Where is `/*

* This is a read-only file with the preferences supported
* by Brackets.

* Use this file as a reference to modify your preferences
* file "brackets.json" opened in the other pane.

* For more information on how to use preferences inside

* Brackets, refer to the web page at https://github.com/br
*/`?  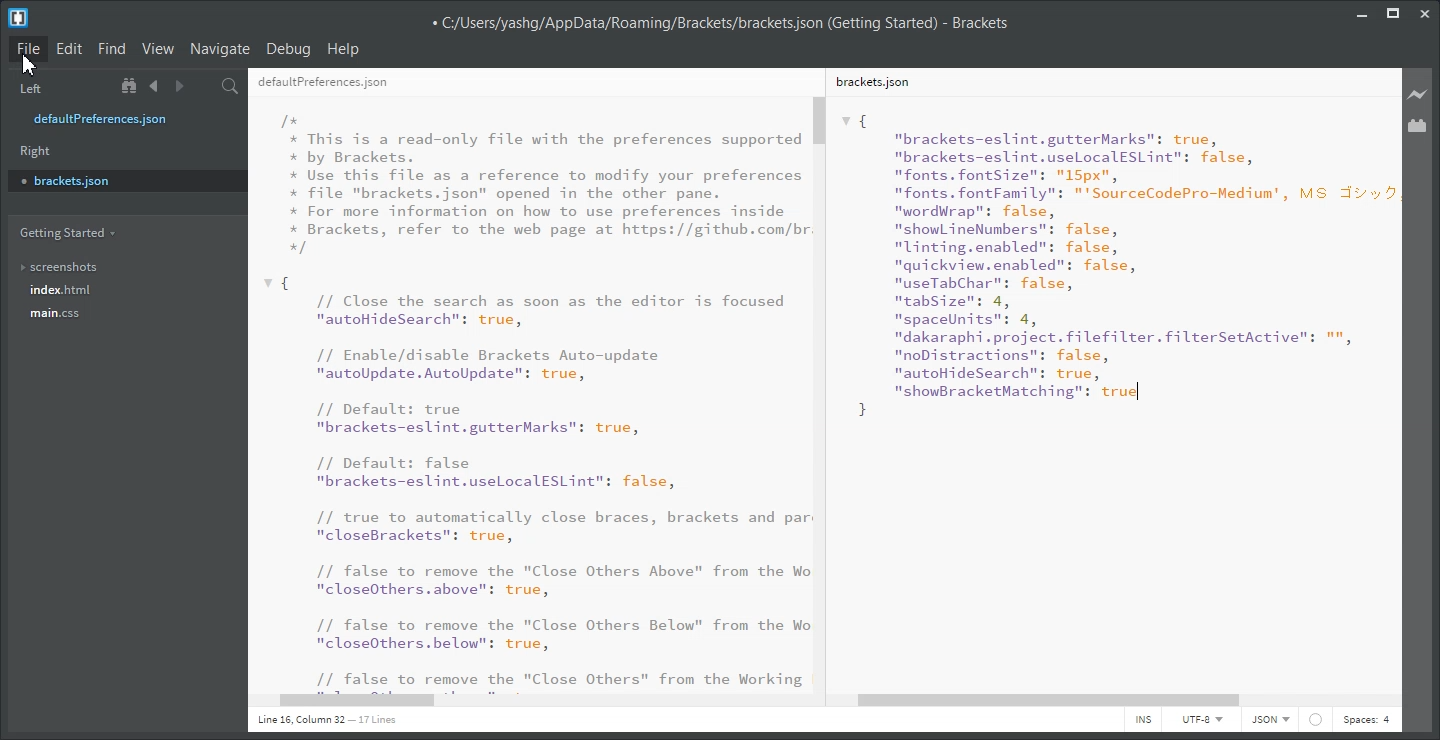 /*

* This is a read-only file with the preferences supported
* by Brackets.

* Use this file as a reference to modify your preferences
* file "brackets.json" opened in the other pane.

* For more information on how to use preferences inside

* Brackets, refer to the web page at https://github.com/br
*/ is located at coordinates (546, 184).